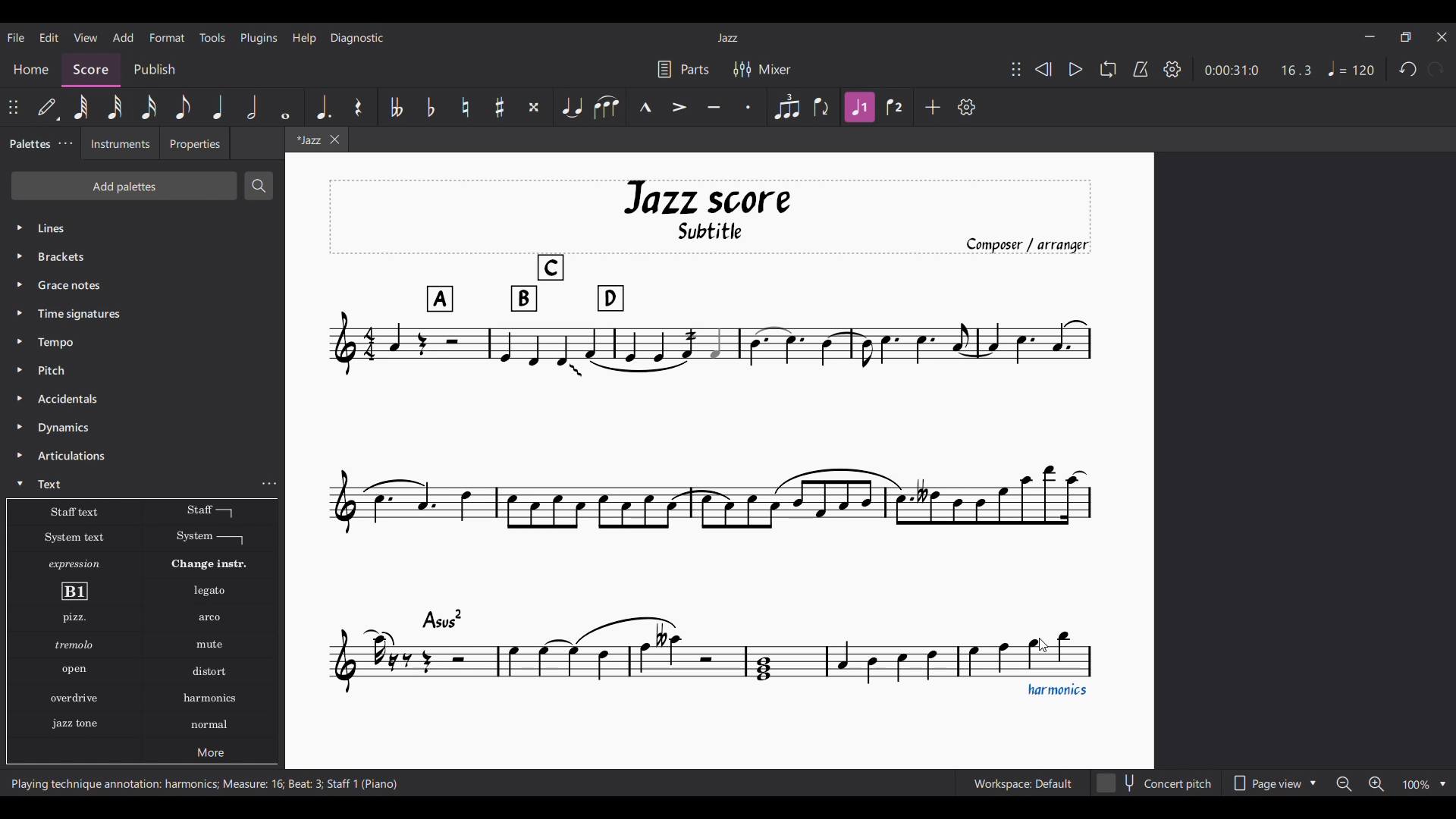 The image size is (1456, 819). What do you see at coordinates (466, 107) in the screenshot?
I see `Toggle natural` at bounding box center [466, 107].